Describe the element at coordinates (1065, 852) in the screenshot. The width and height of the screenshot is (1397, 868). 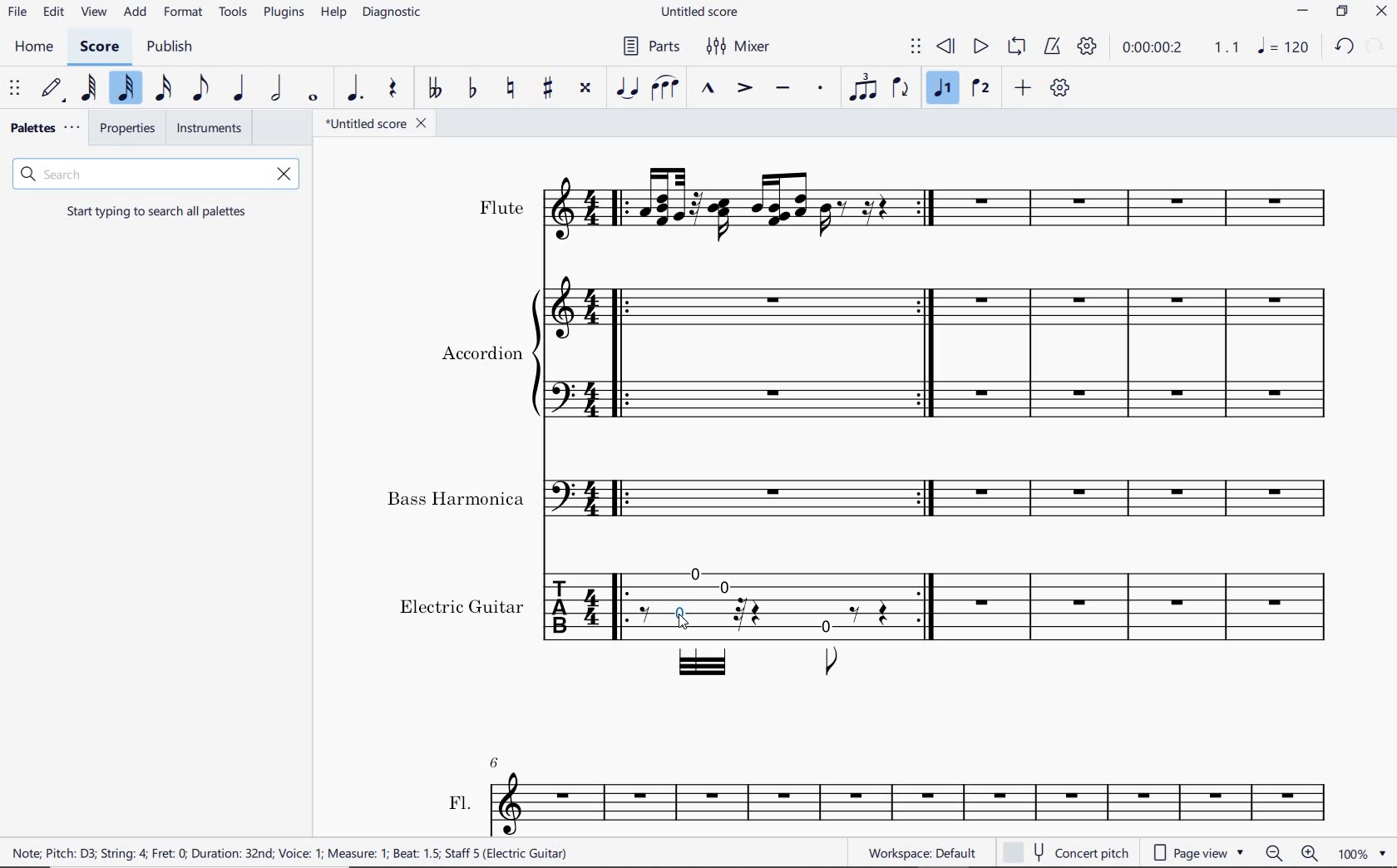
I see `concert pitch` at that location.